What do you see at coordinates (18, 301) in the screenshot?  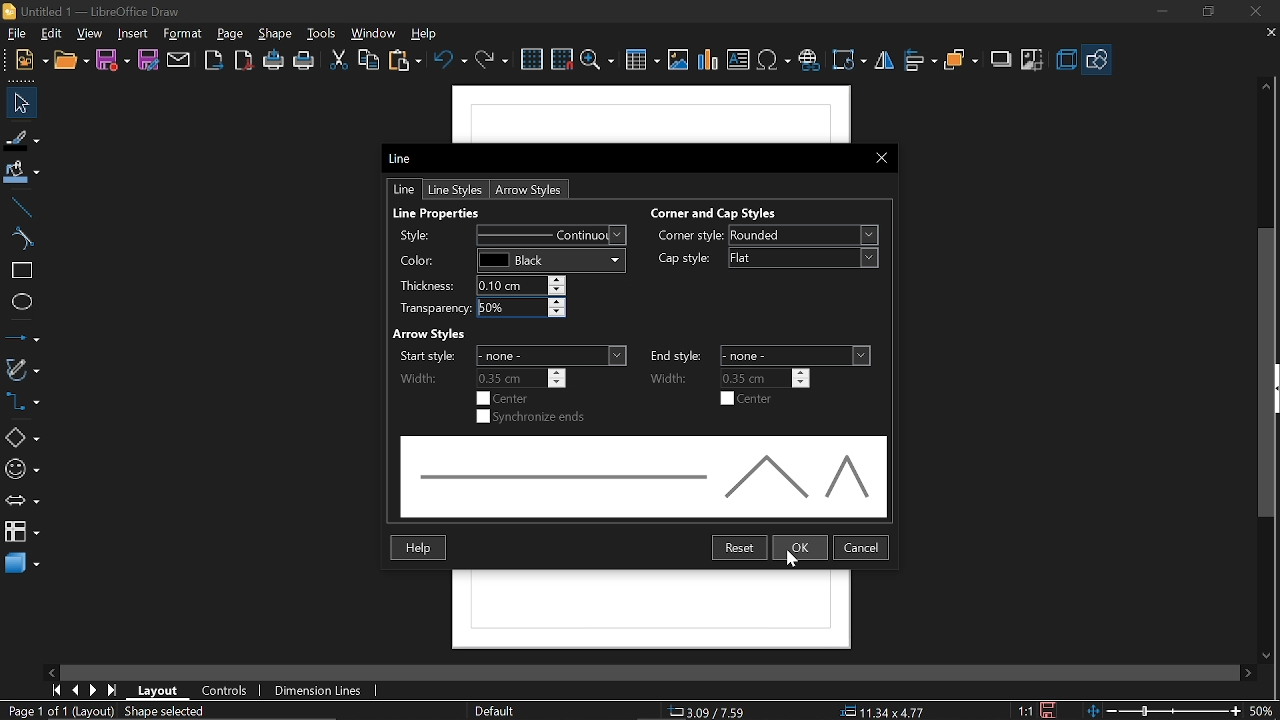 I see `ellipse` at bounding box center [18, 301].